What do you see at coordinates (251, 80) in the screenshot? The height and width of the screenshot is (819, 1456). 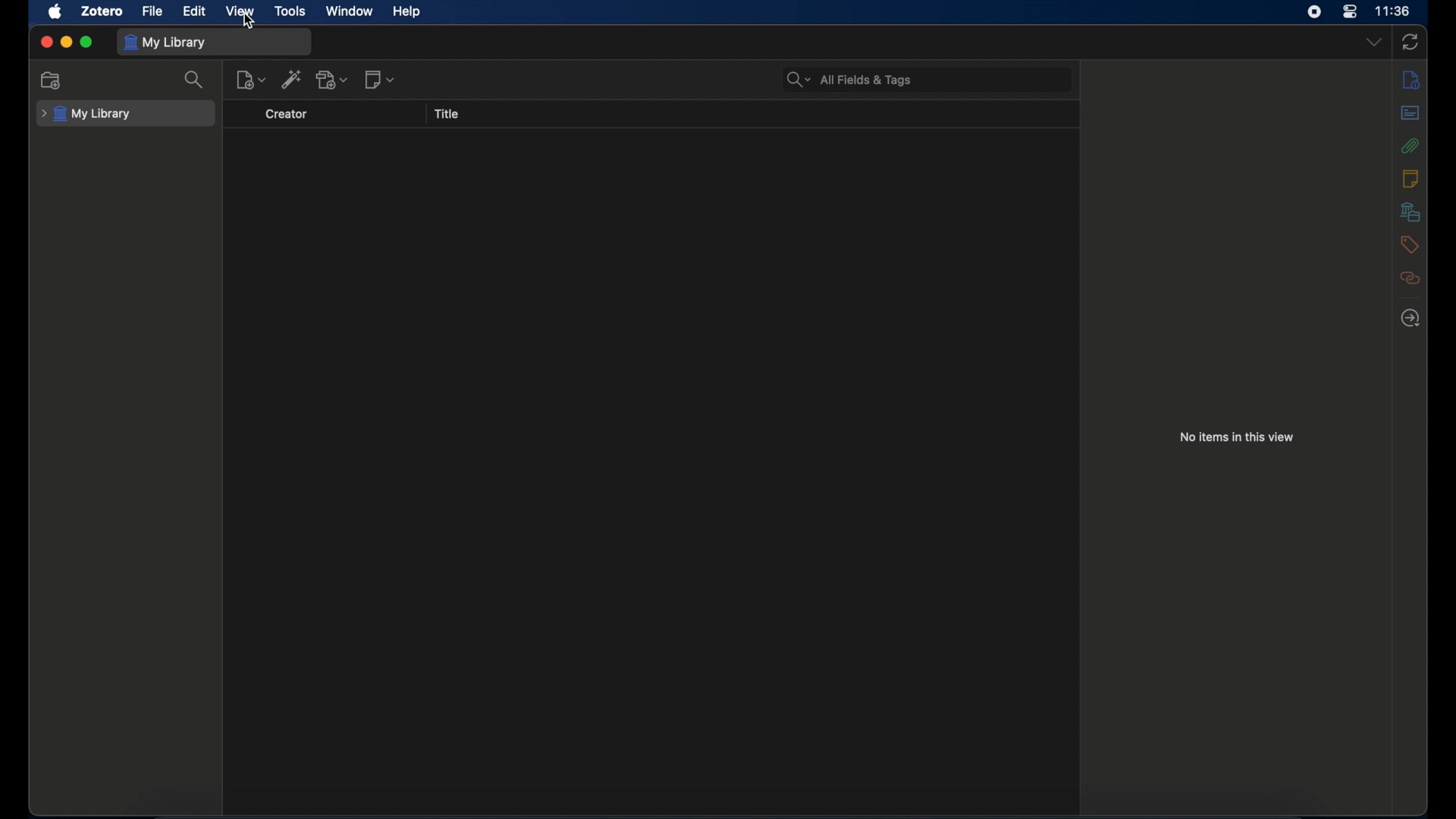 I see `new item` at bounding box center [251, 80].